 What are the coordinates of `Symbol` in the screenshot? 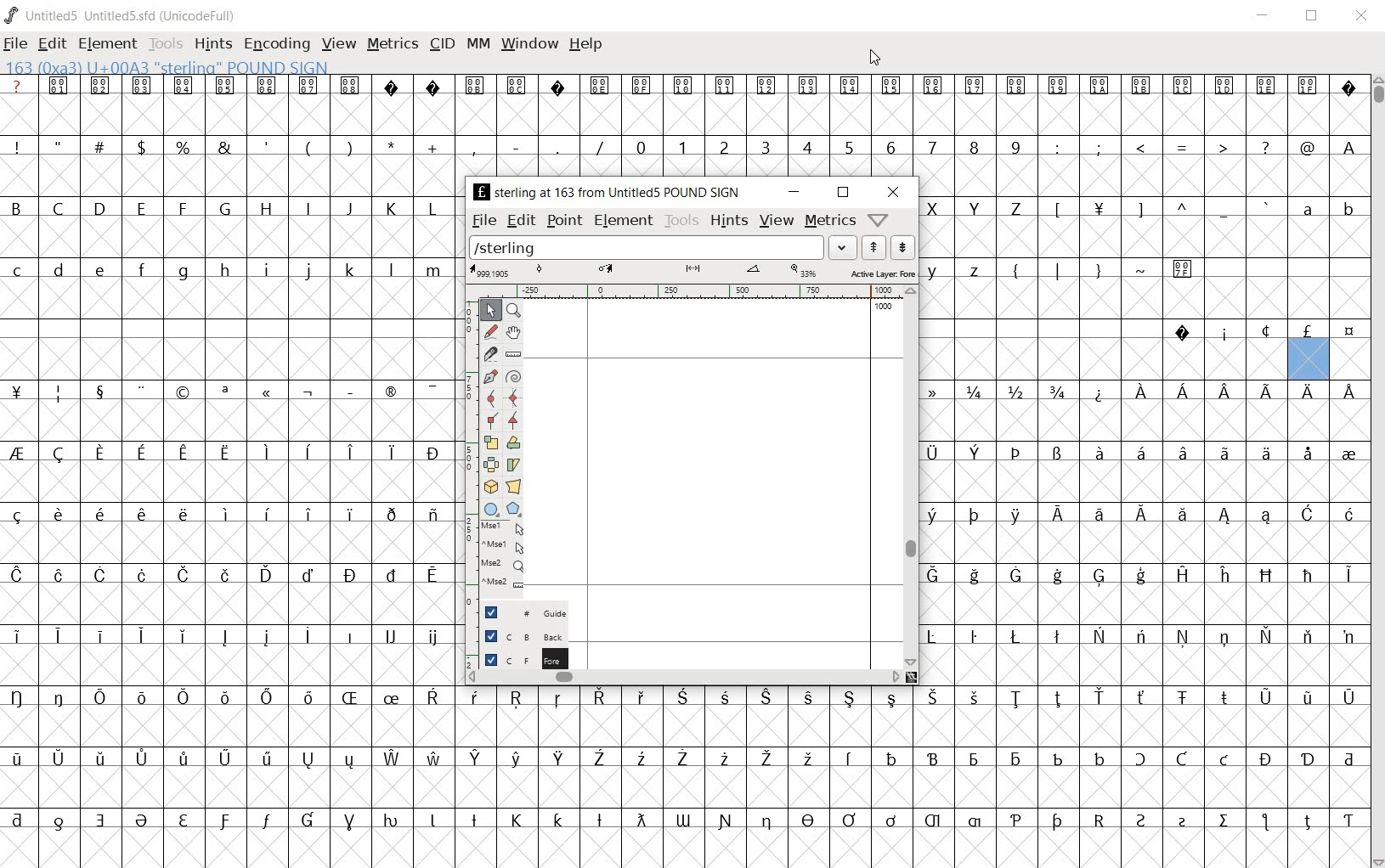 It's located at (1269, 87).